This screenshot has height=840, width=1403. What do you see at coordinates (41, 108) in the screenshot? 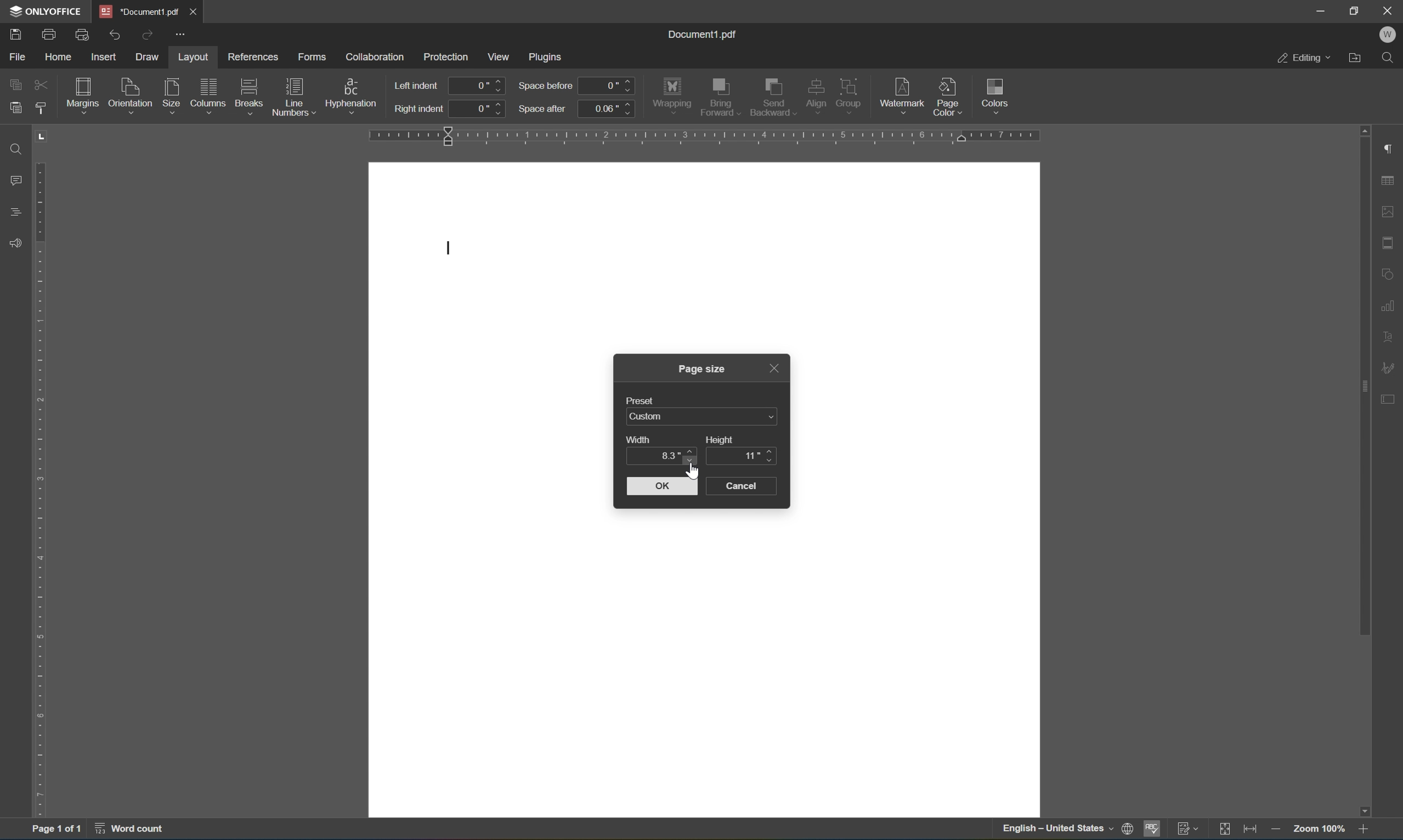
I see `copy style` at bounding box center [41, 108].